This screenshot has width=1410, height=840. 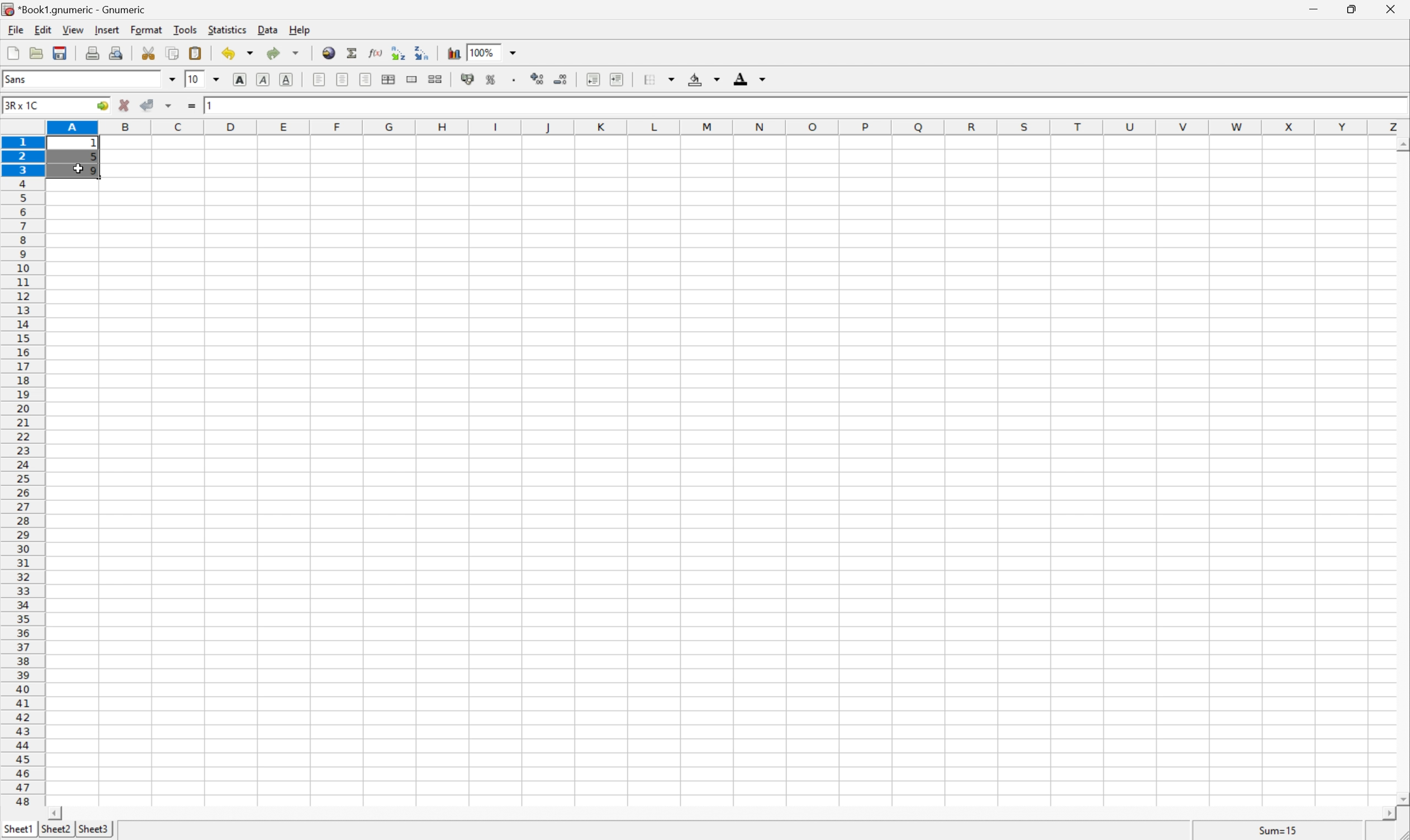 I want to click on insert, so click(x=106, y=28).